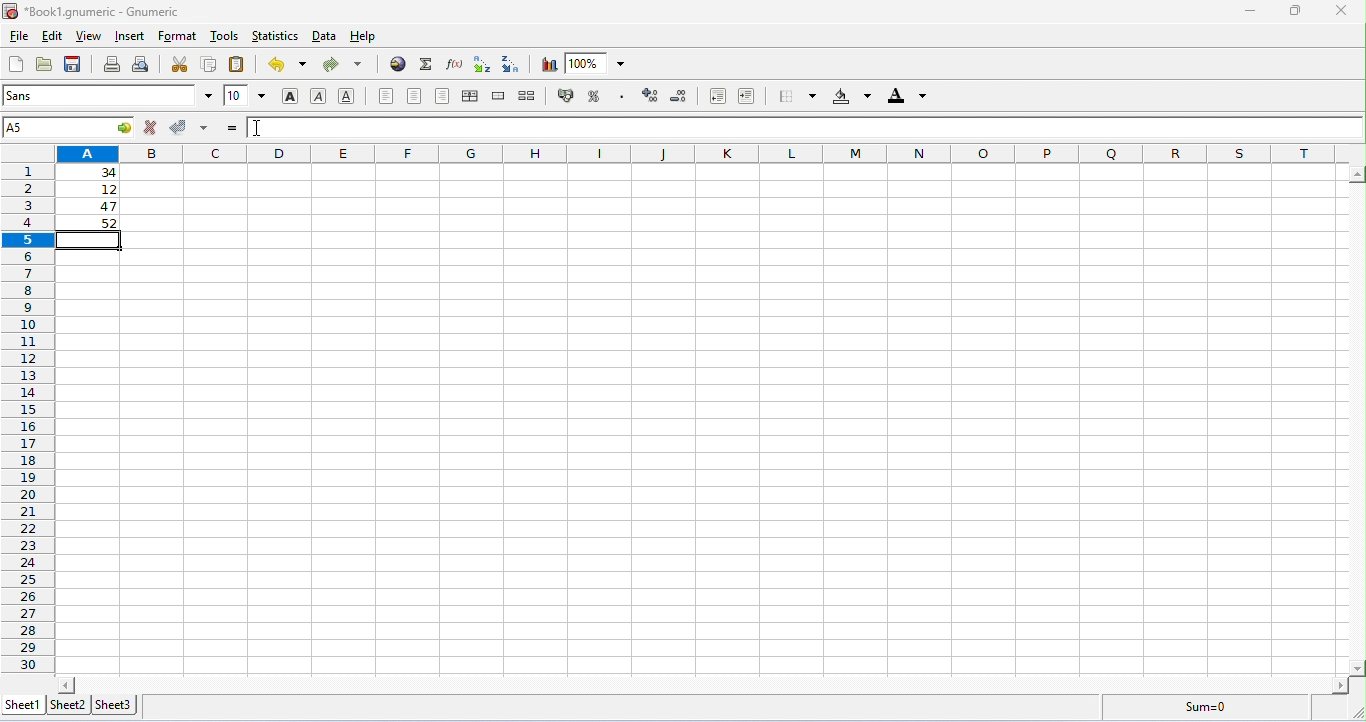  Describe the element at coordinates (500, 96) in the screenshot. I see `merge` at that location.